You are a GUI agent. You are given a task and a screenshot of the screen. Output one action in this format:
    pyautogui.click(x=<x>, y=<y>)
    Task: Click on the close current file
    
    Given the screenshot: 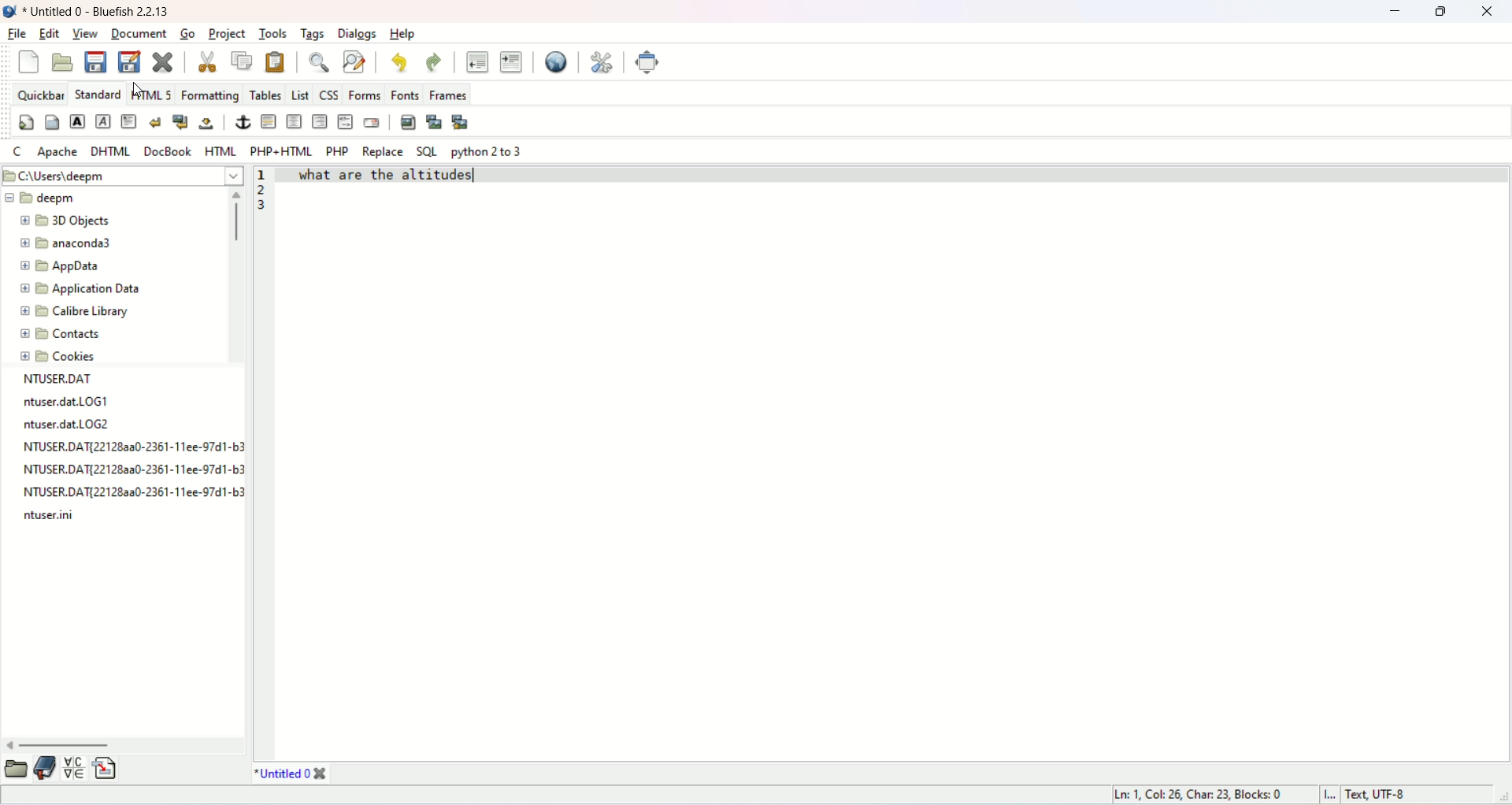 What is the action you would take?
    pyautogui.click(x=161, y=62)
    